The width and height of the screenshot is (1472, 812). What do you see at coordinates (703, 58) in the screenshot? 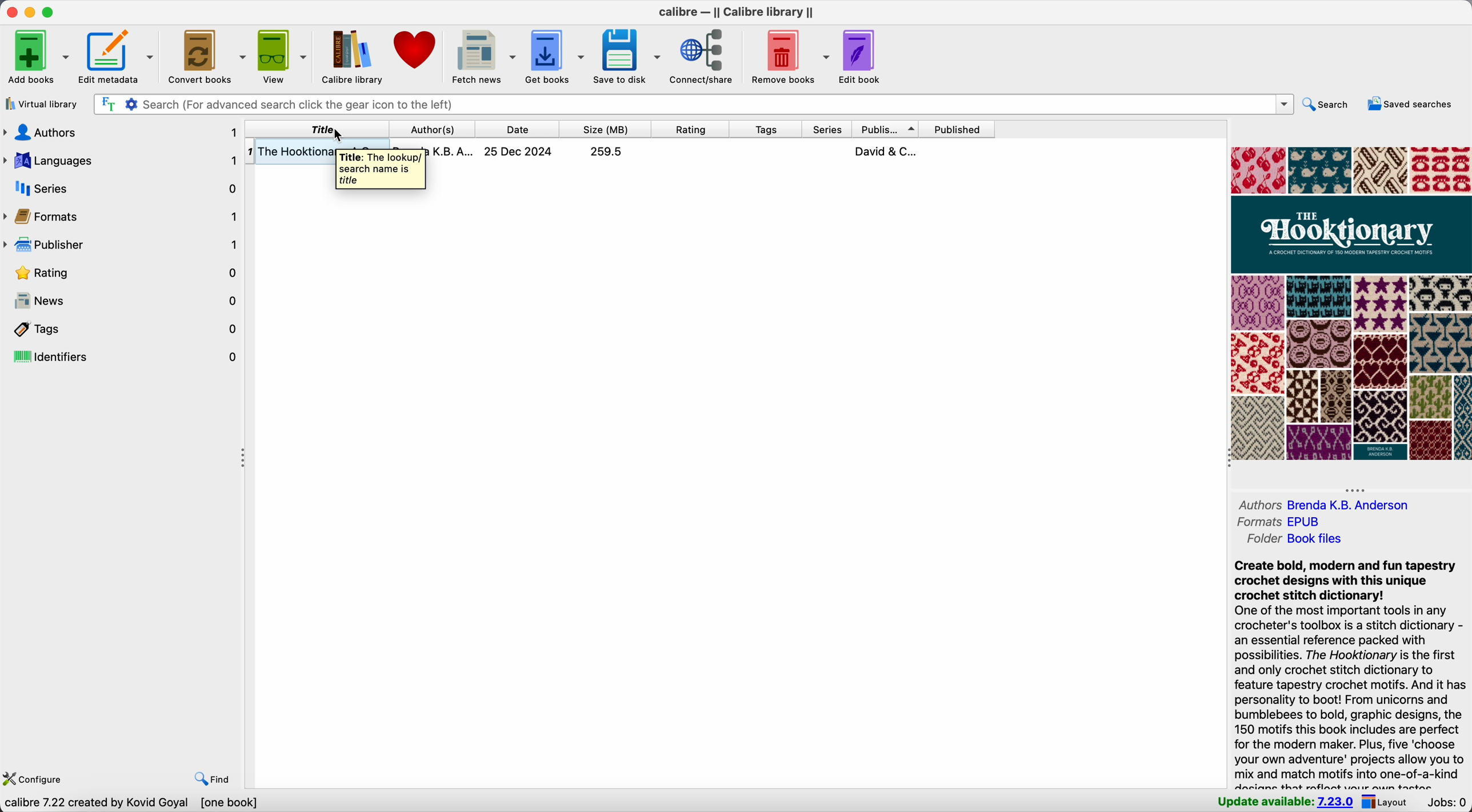
I see `connect/share` at bounding box center [703, 58].